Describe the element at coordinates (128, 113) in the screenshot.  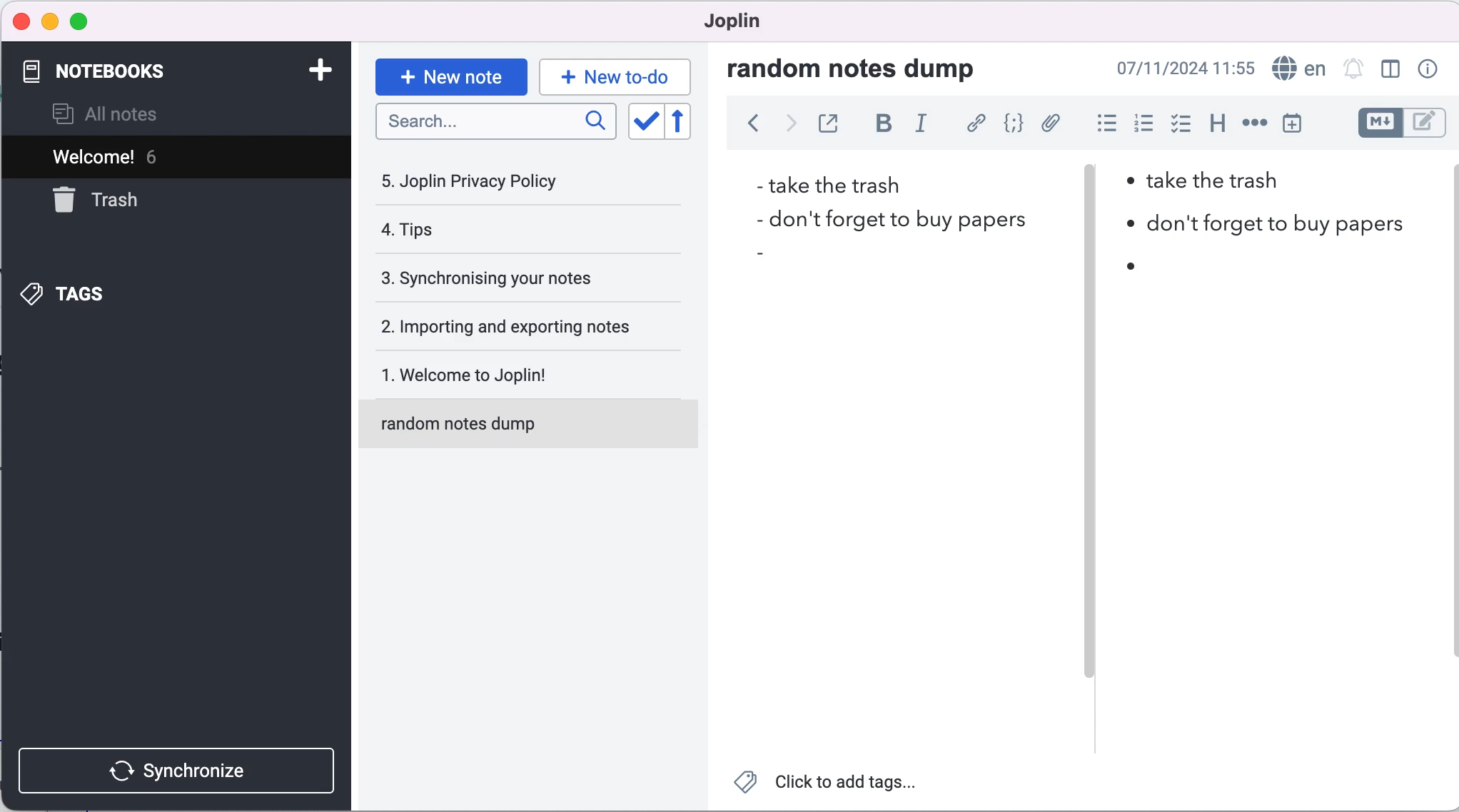
I see `all notes` at that location.